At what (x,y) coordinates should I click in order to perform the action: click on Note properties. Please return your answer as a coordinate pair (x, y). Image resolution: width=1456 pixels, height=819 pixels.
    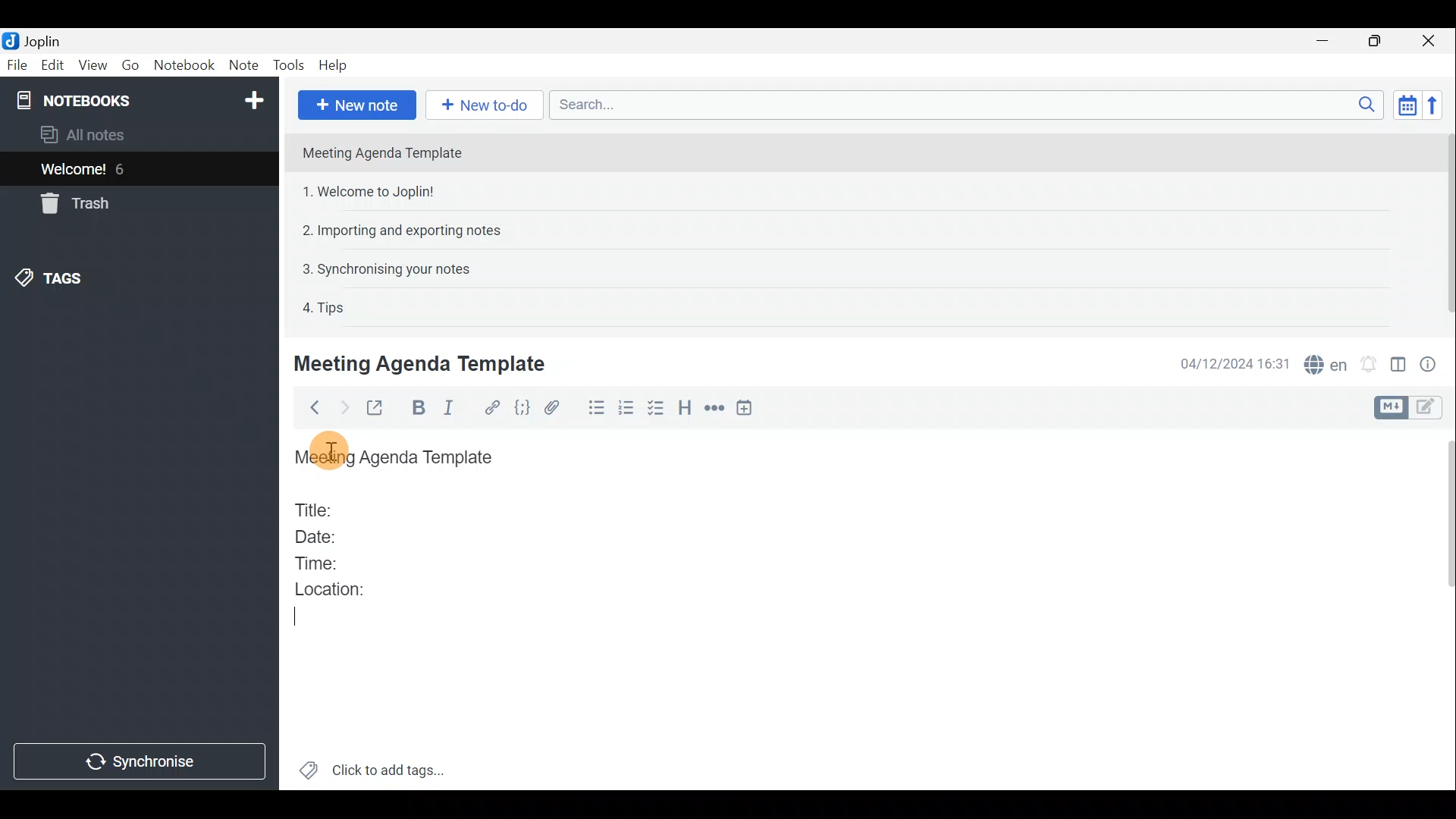
    Looking at the image, I should click on (1433, 363).